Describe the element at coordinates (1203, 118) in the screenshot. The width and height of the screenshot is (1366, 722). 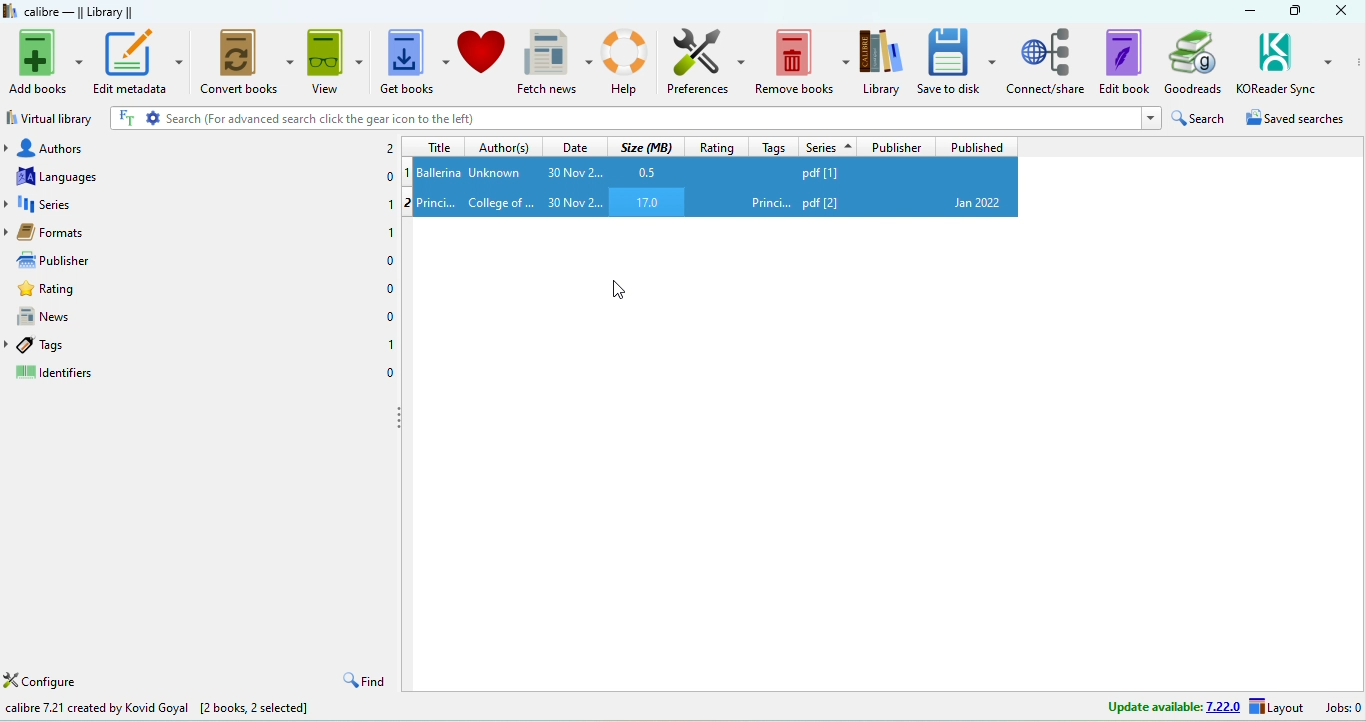
I see `search` at that location.